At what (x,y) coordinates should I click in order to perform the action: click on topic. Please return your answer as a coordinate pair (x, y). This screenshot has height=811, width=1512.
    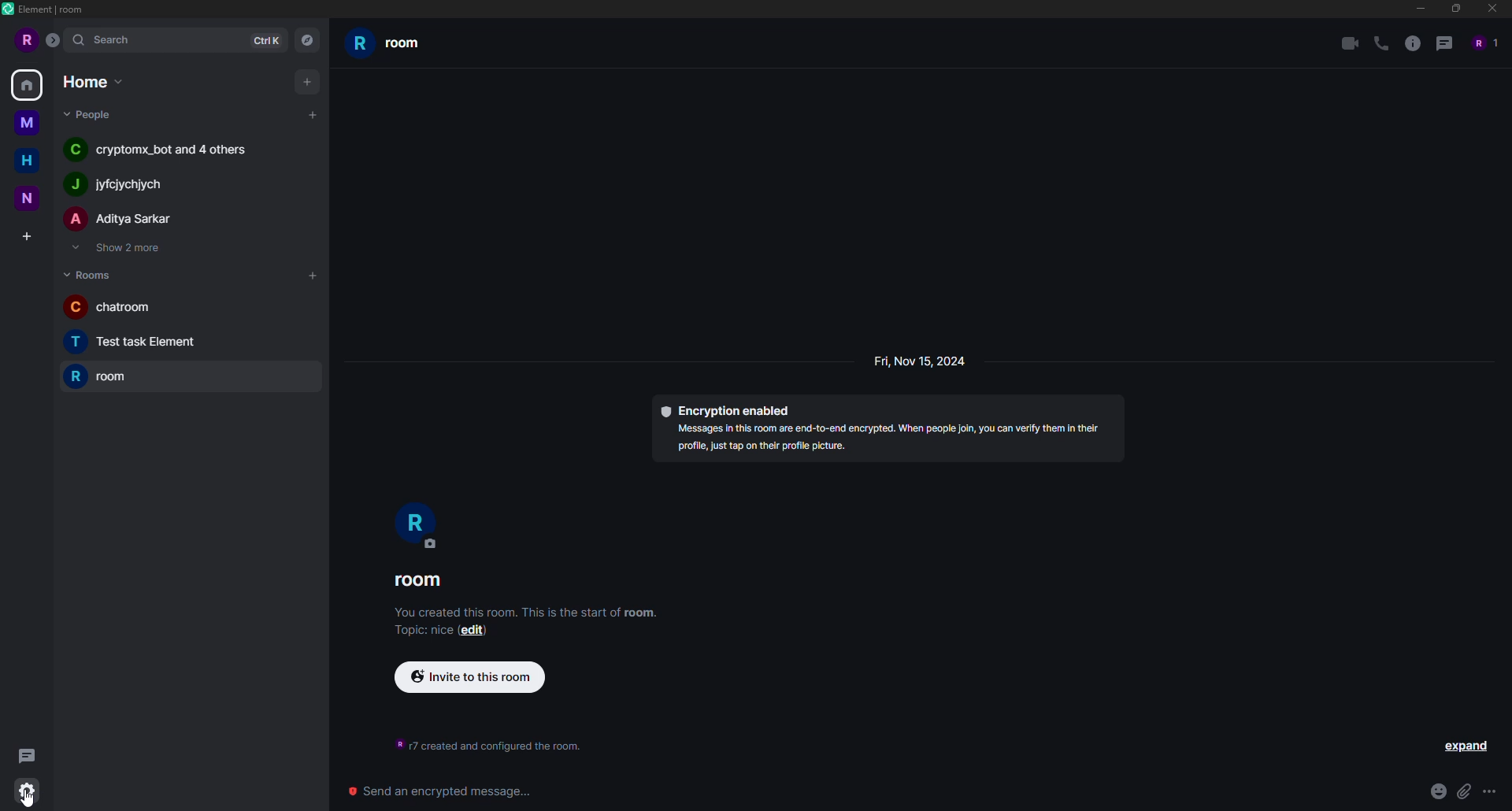
    Looking at the image, I should click on (414, 631).